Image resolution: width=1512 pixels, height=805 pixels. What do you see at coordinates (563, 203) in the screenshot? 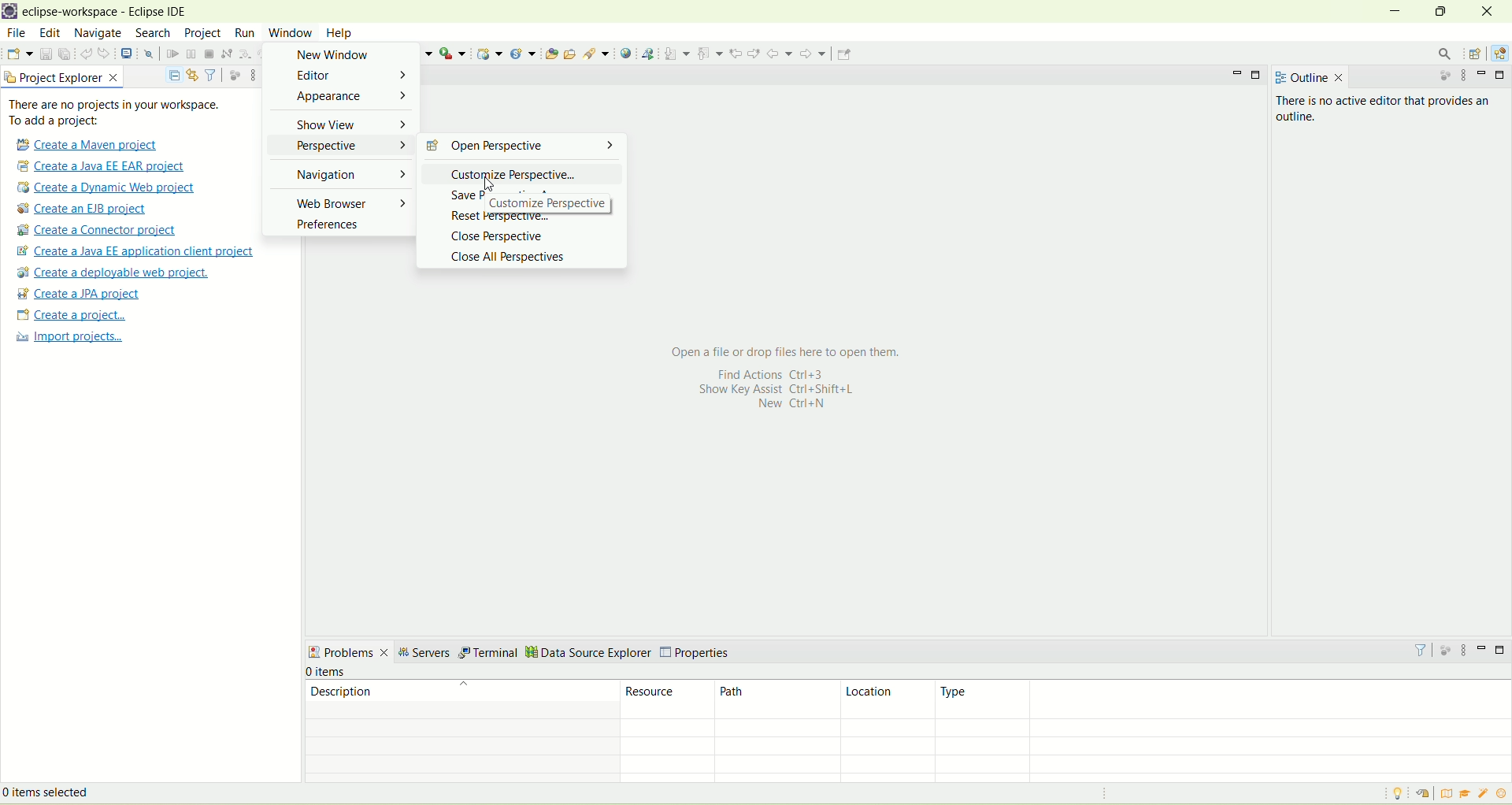
I see `customize perspective` at bounding box center [563, 203].